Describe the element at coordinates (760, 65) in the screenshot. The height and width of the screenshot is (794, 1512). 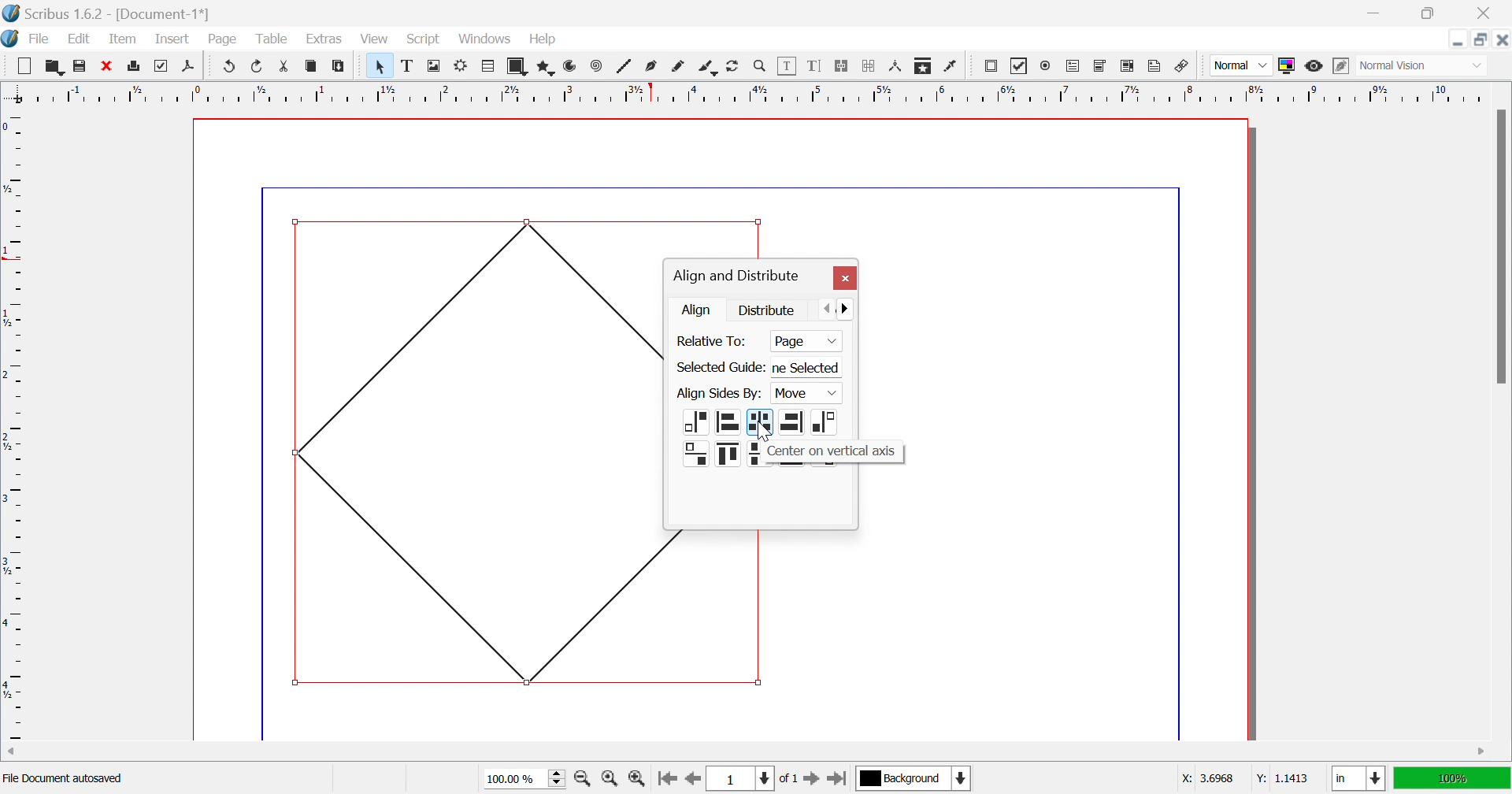
I see `Zoom in or out` at that location.